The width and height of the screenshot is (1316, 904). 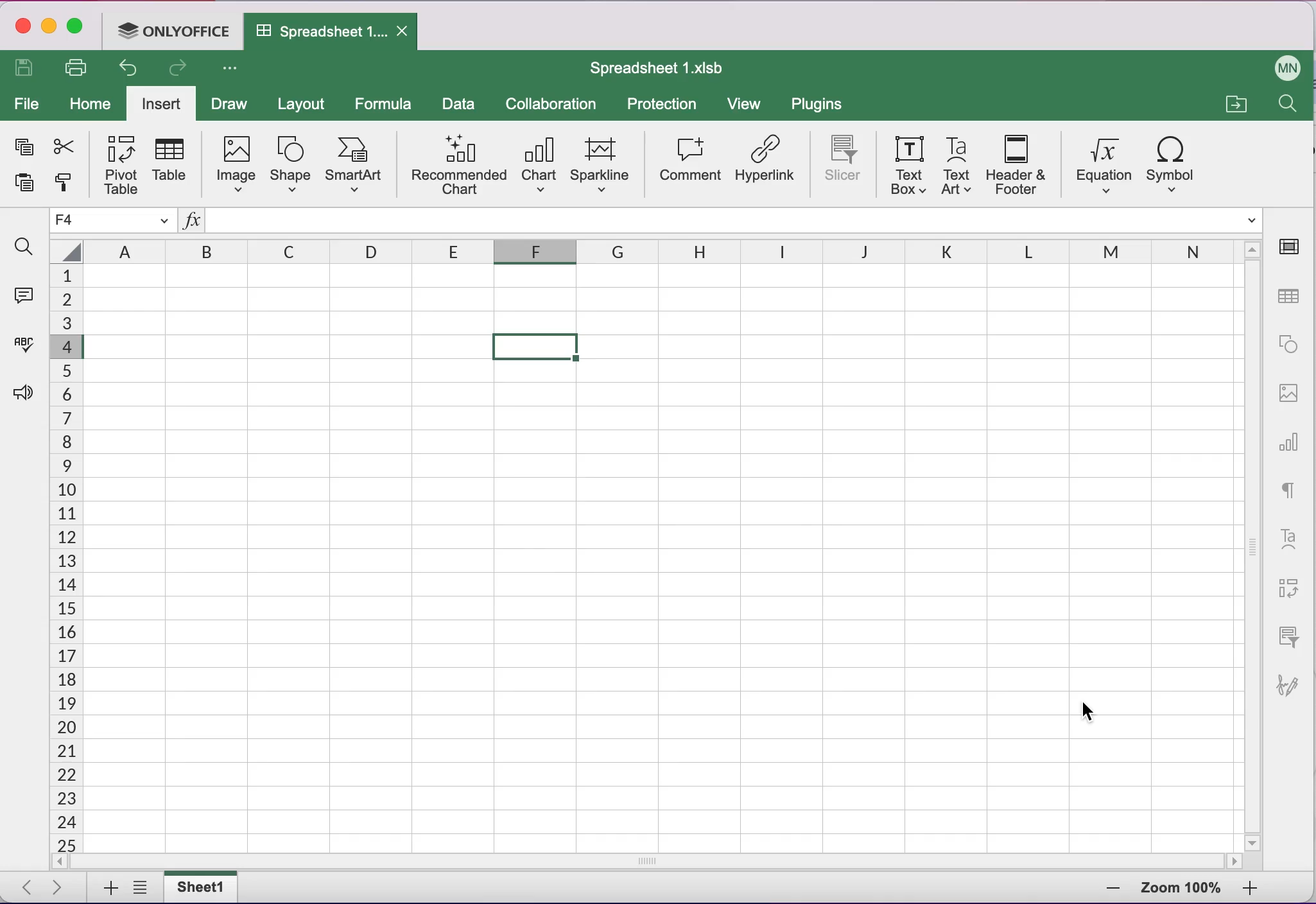 I want to click on draw, so click(x=228, y=103).